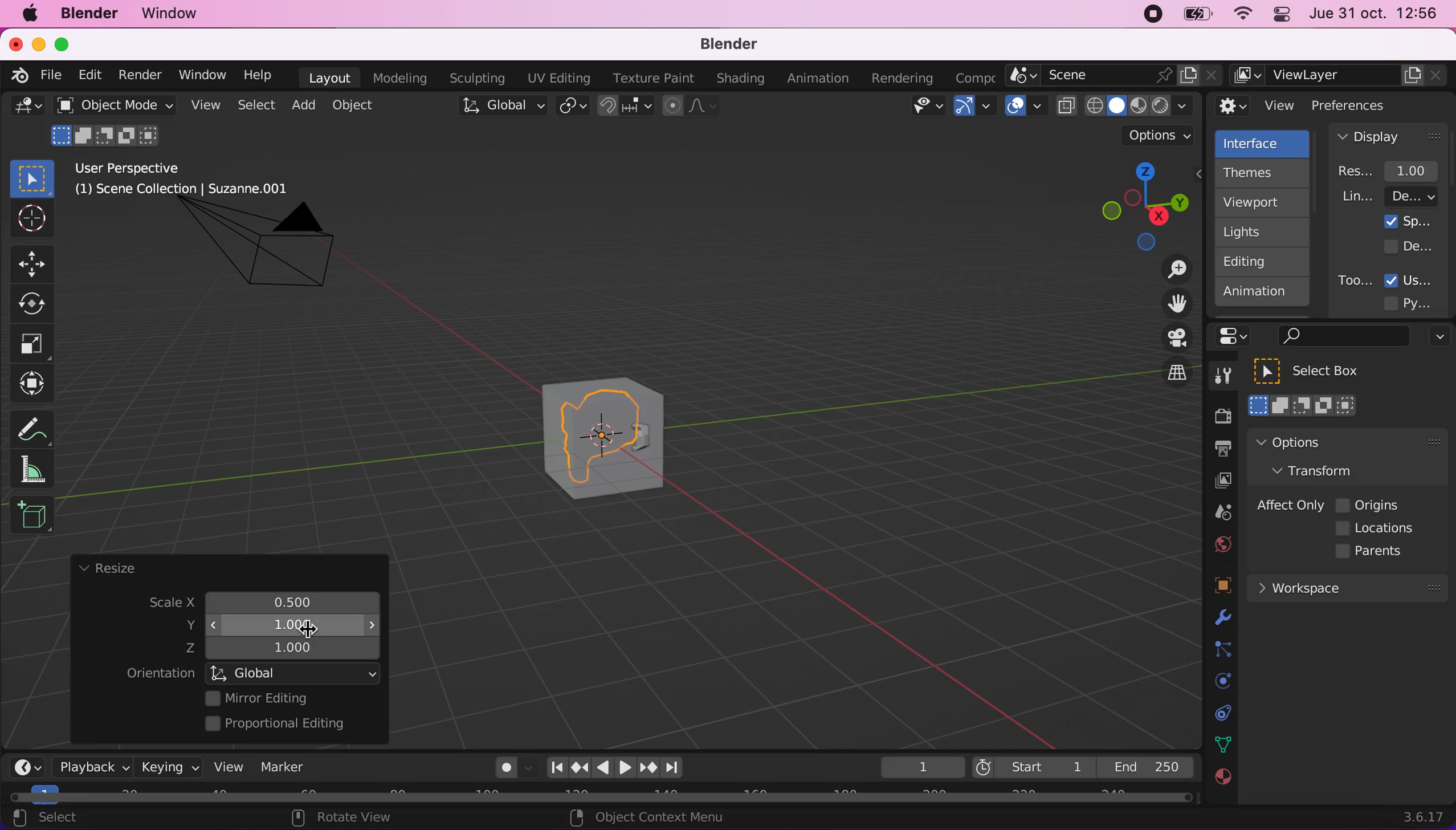 The image size is (1456, 830). Describe the element at coordinates (288, 600) in the screenshot. I see `scale x` at that location.